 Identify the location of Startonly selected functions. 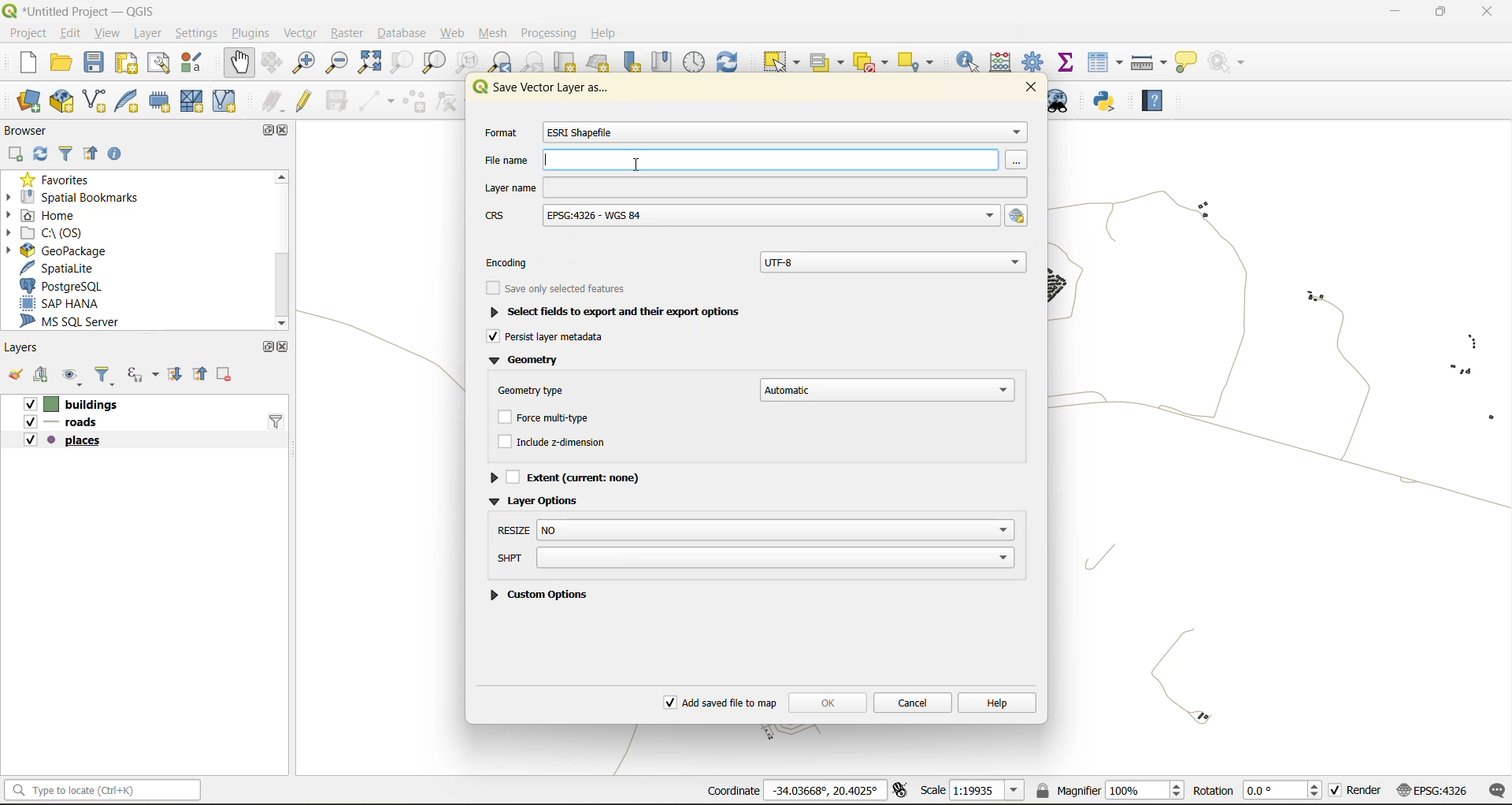
(555, 289).